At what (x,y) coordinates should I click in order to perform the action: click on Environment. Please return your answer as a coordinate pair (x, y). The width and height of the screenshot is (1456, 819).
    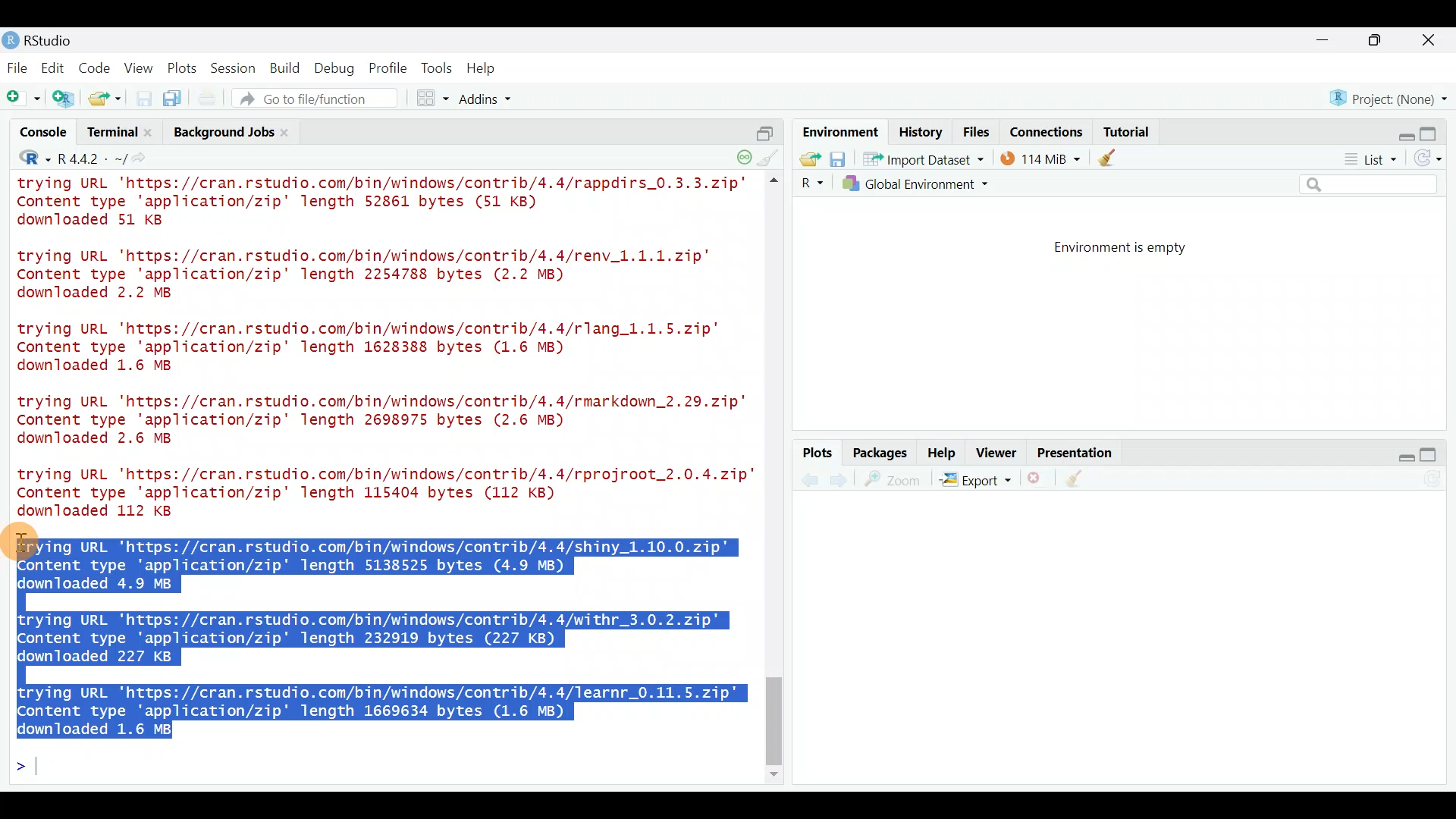
    Looking at the image, I should click on (838, 131).